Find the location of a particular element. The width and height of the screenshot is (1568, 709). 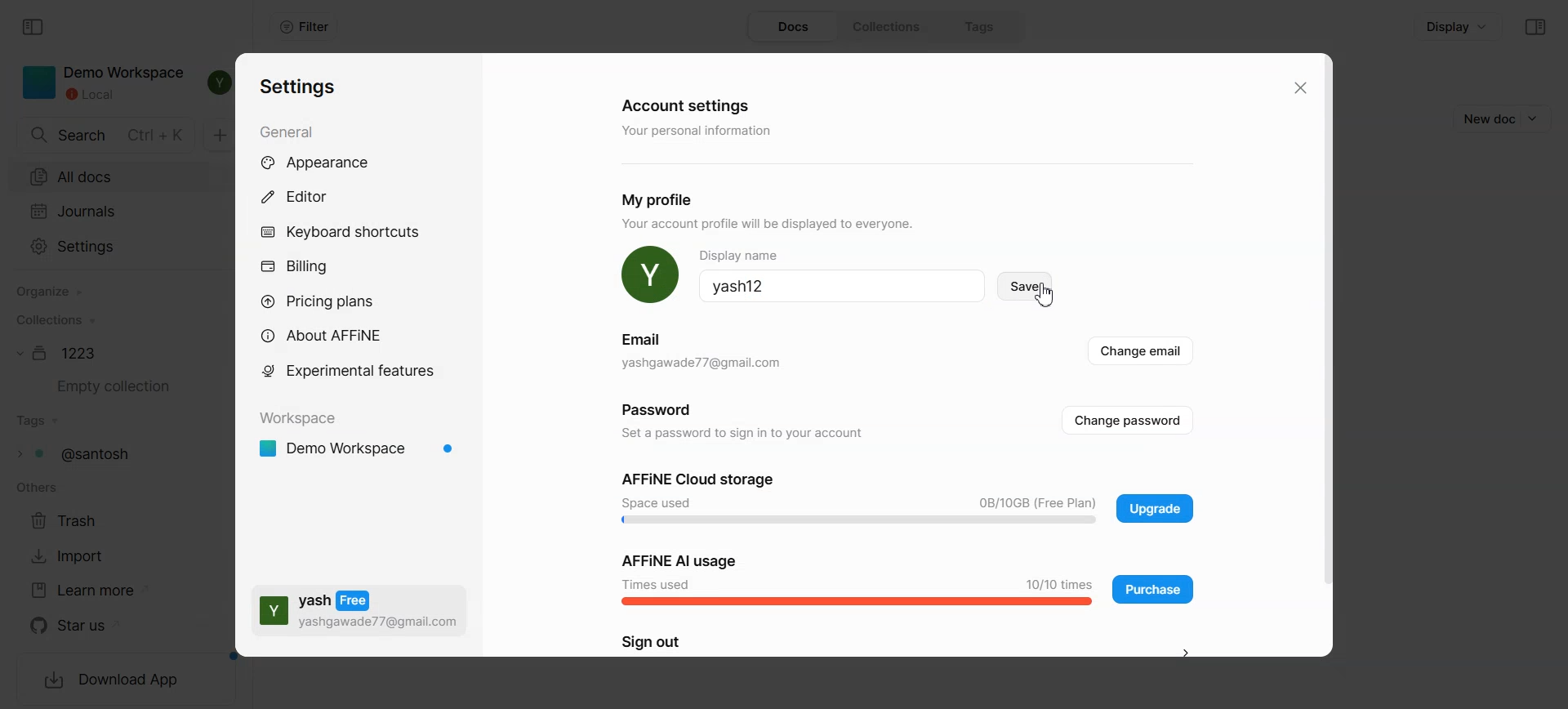

My profile is located at coordinates (664, 199).